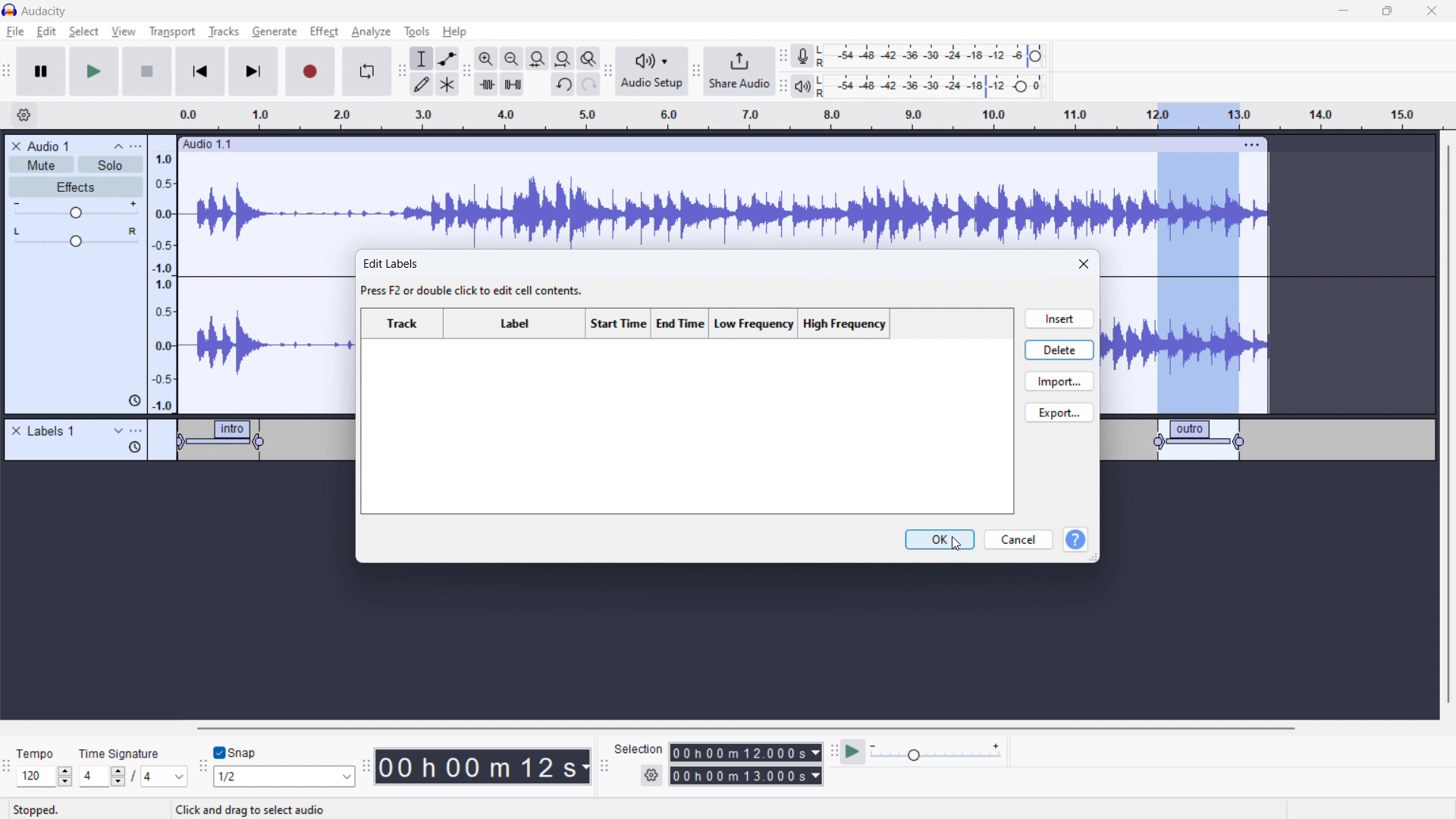 The image size is (1456, 819). Describe the element at coordinates (111, 165) in the screenshot. I see `solo` at that location.